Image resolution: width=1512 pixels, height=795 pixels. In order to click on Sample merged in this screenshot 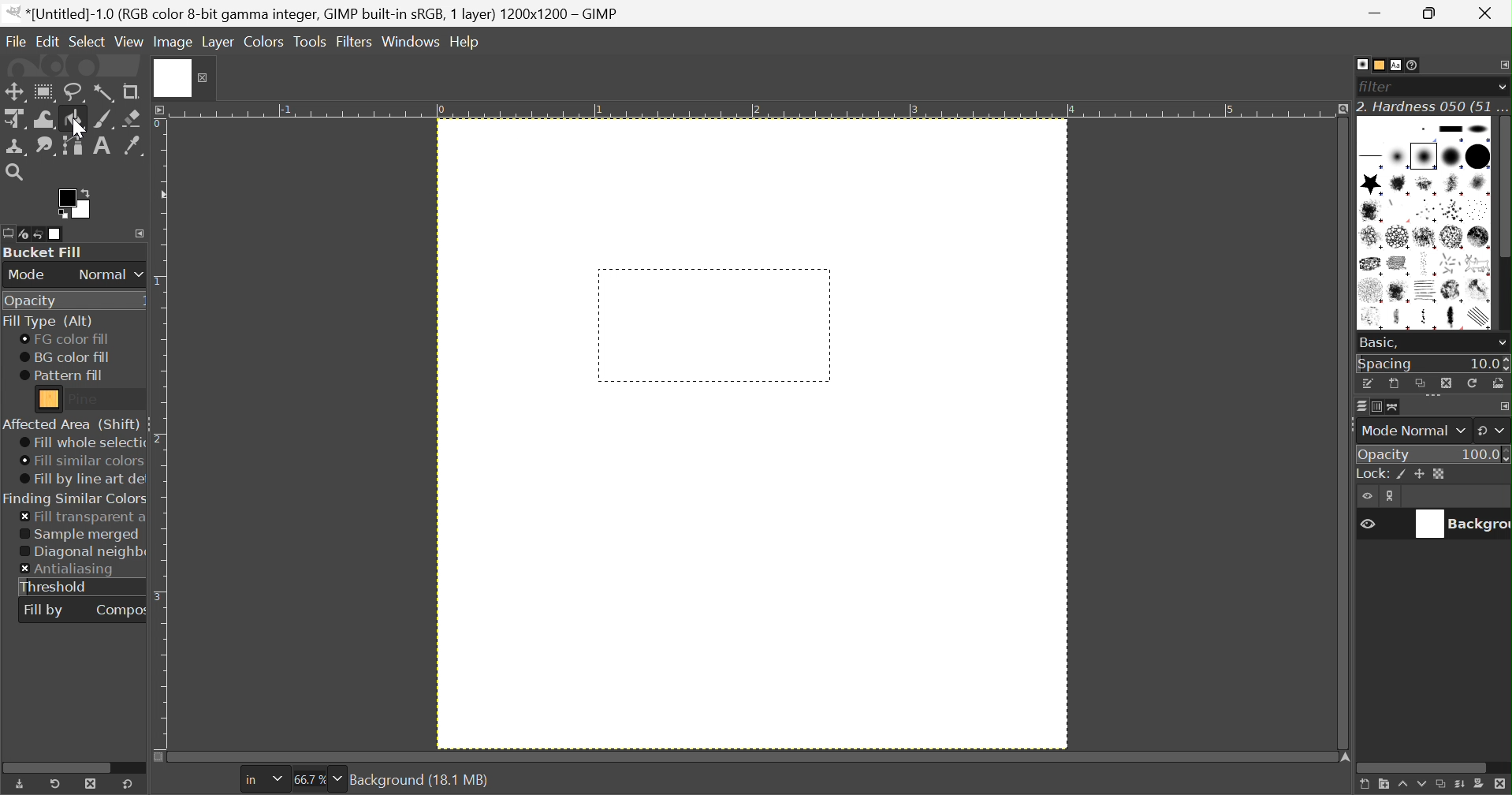, I will do `click(79, 535)`.